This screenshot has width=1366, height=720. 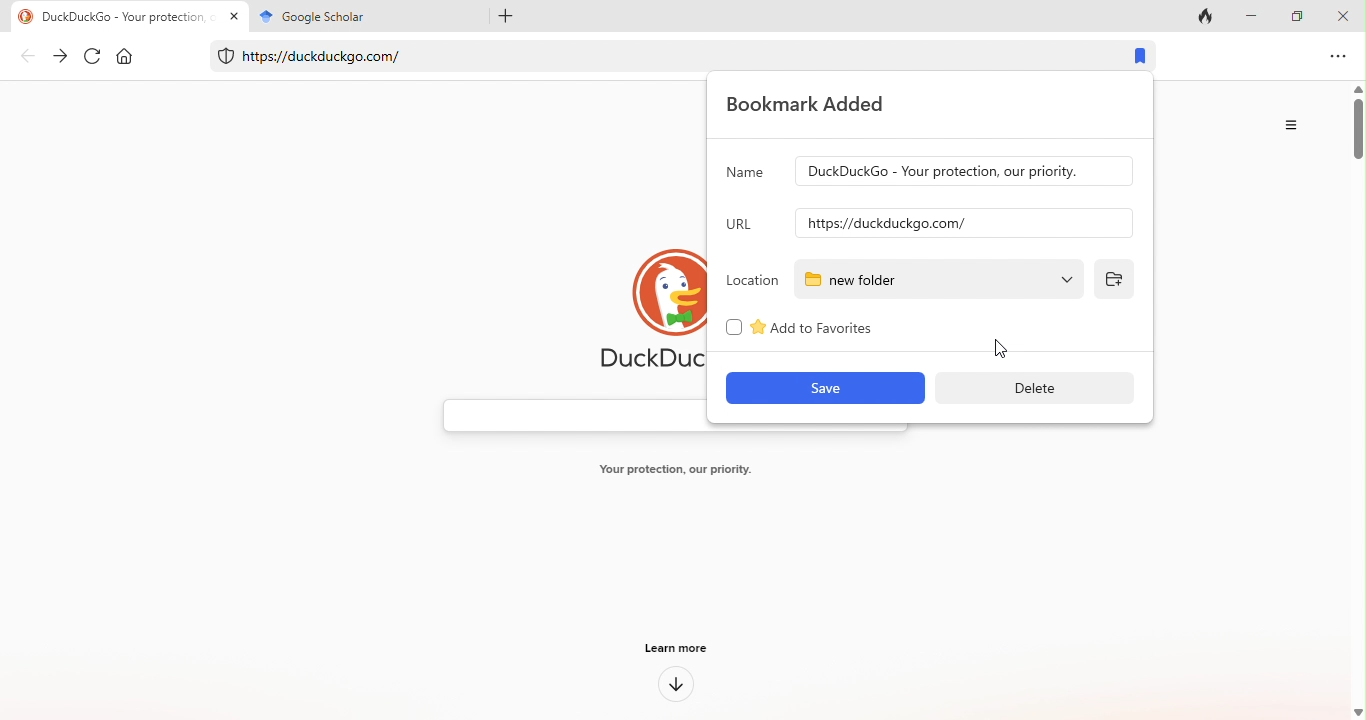 What do you see at coordinates (826, 388) in the screenshot?
I see `save` at bounding box center [826, 388].